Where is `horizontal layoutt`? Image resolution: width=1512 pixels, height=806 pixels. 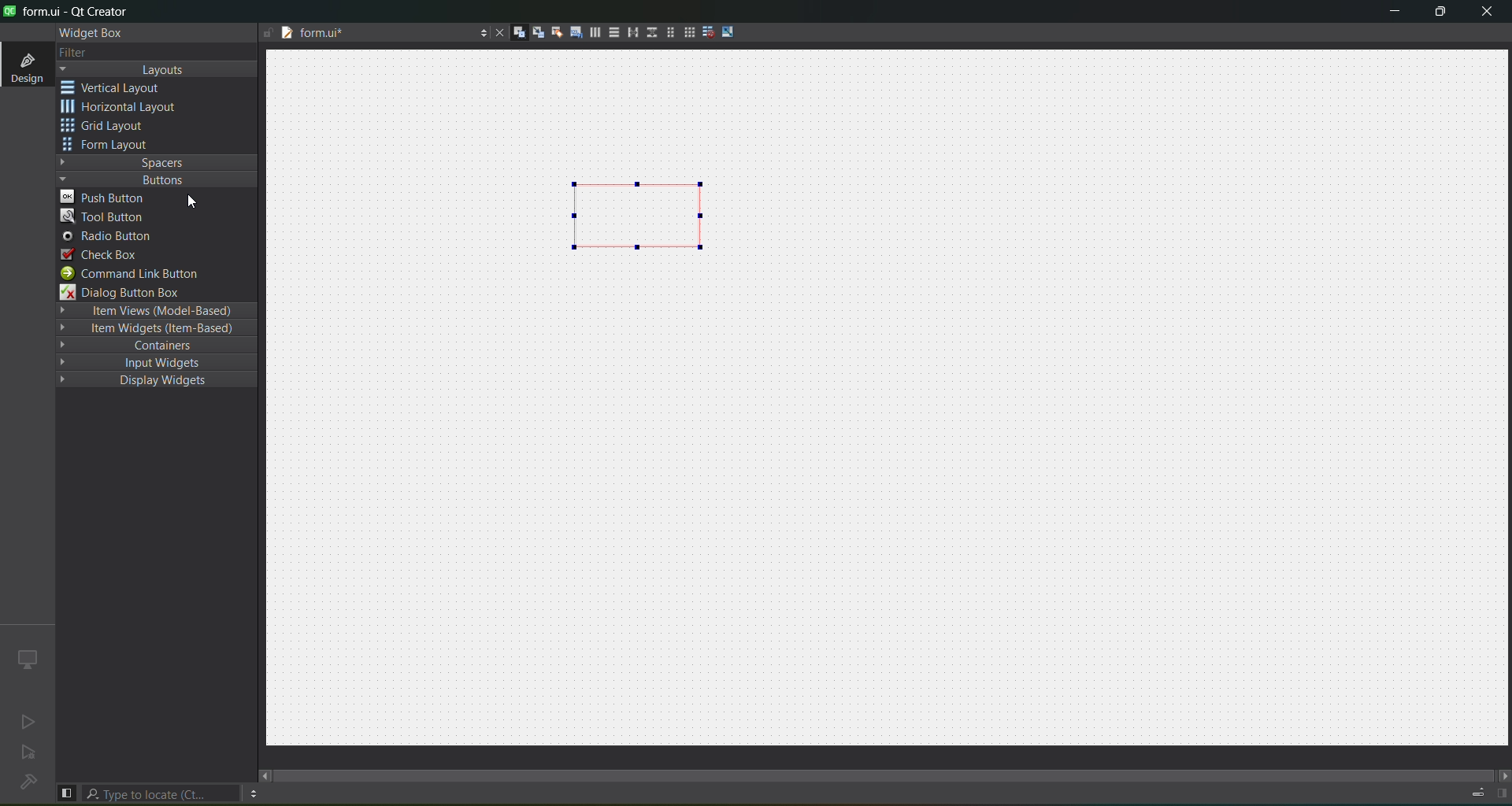
horizontal layoutt is located at coordinates (595, 35).